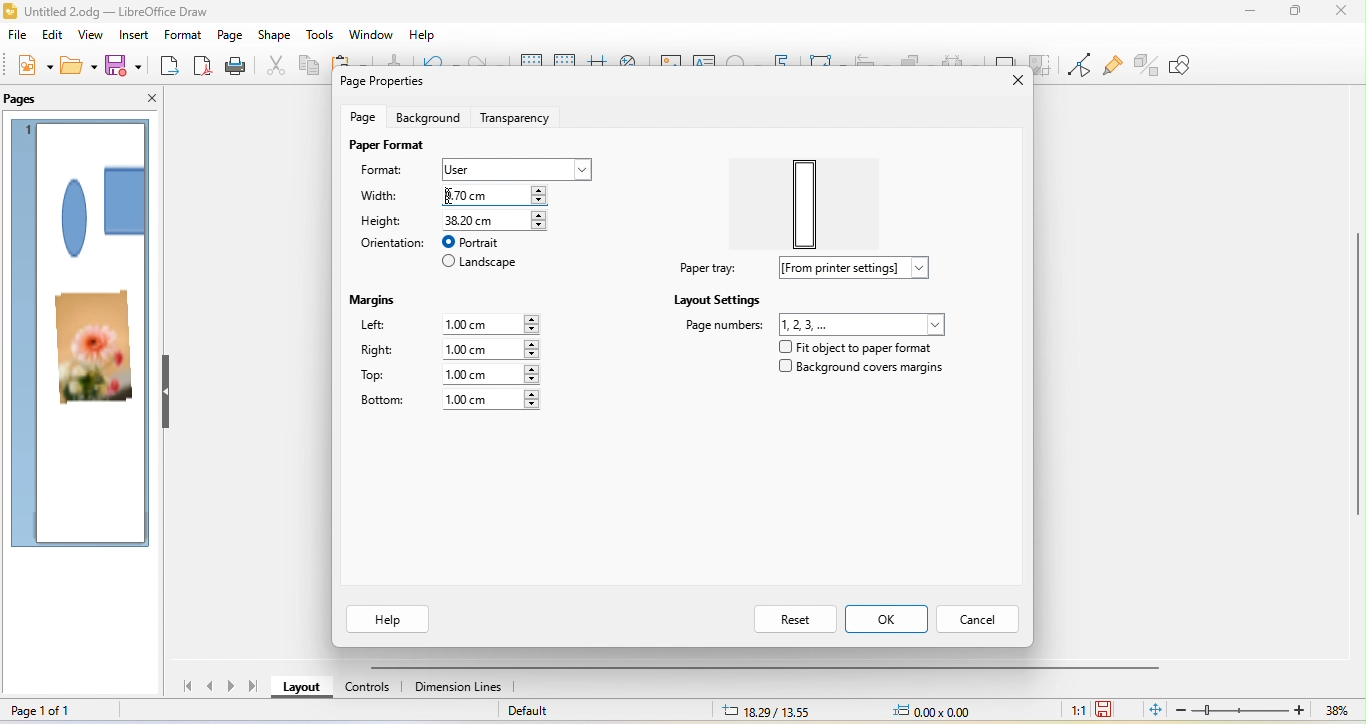 This screenshot has width=1366, height=724. I want to click on Vertical scroll bar, so click(1356, 384).